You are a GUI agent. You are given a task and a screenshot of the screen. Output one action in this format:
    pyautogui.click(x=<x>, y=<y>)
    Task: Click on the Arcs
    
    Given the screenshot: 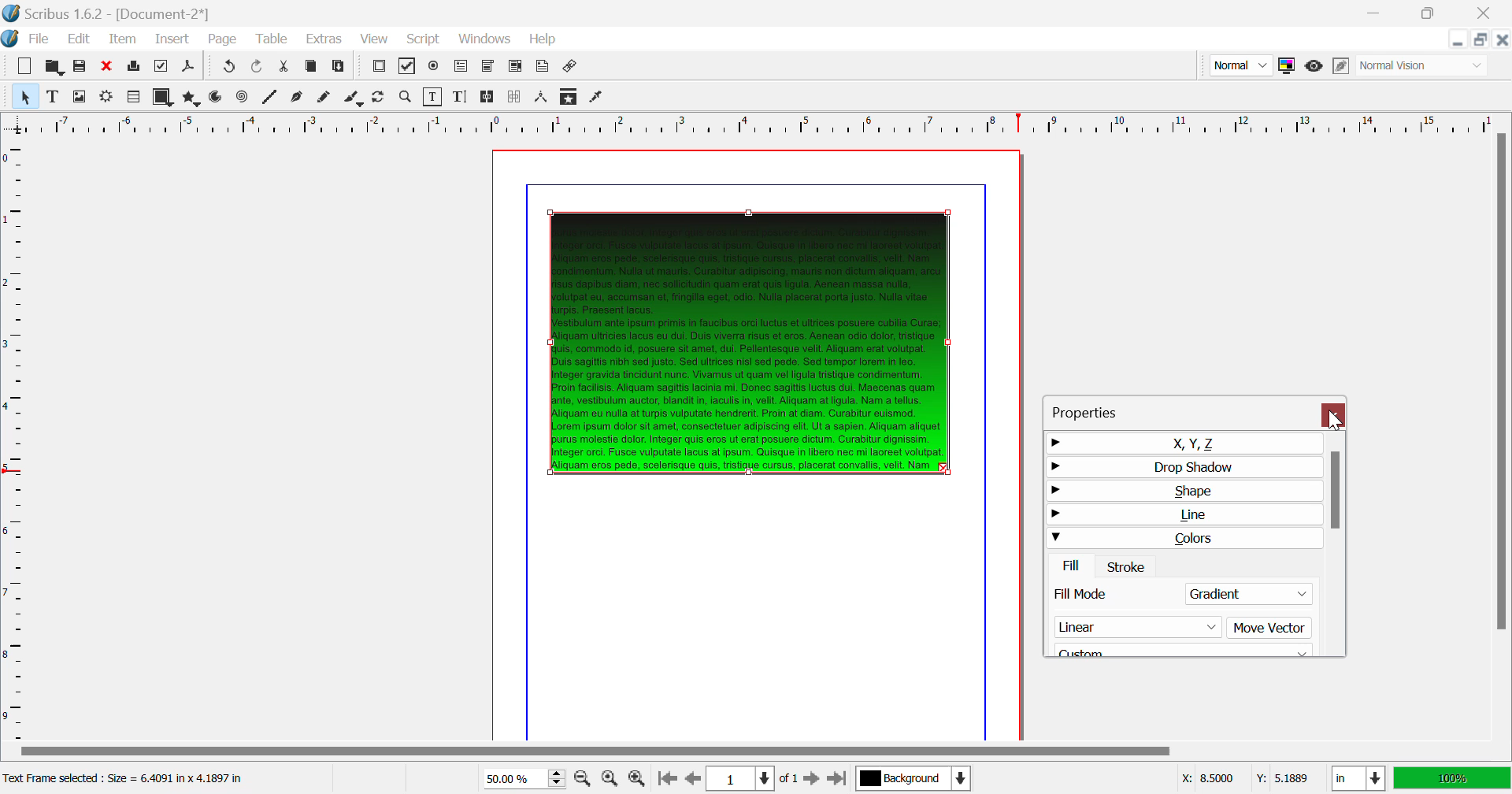 What is the action you would take?
    pyautogui.click(x=217, y=98)
    